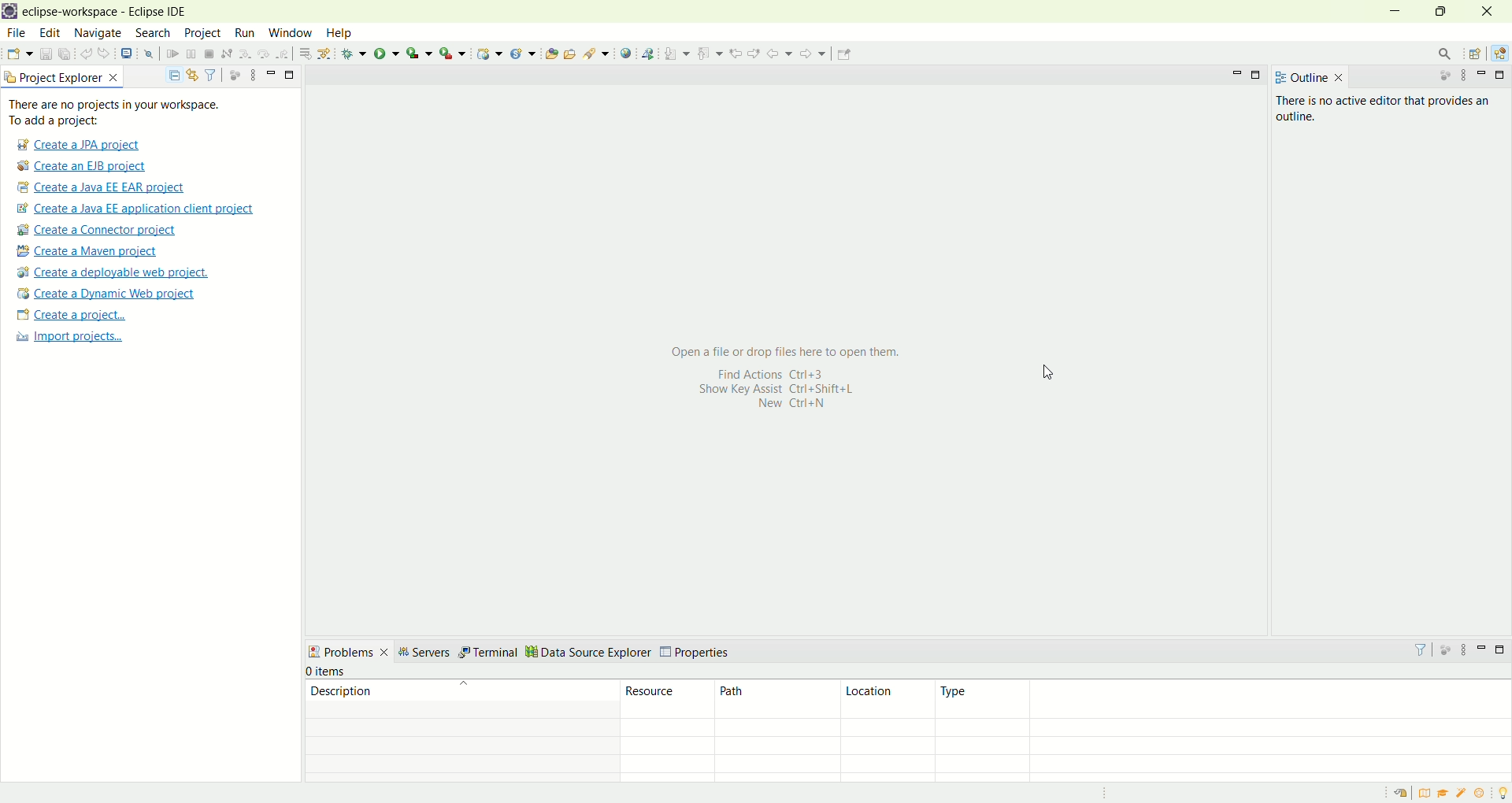 The width and height of the screenshot is (1512, 803). I want to click on link with editor, so click(193, 73).